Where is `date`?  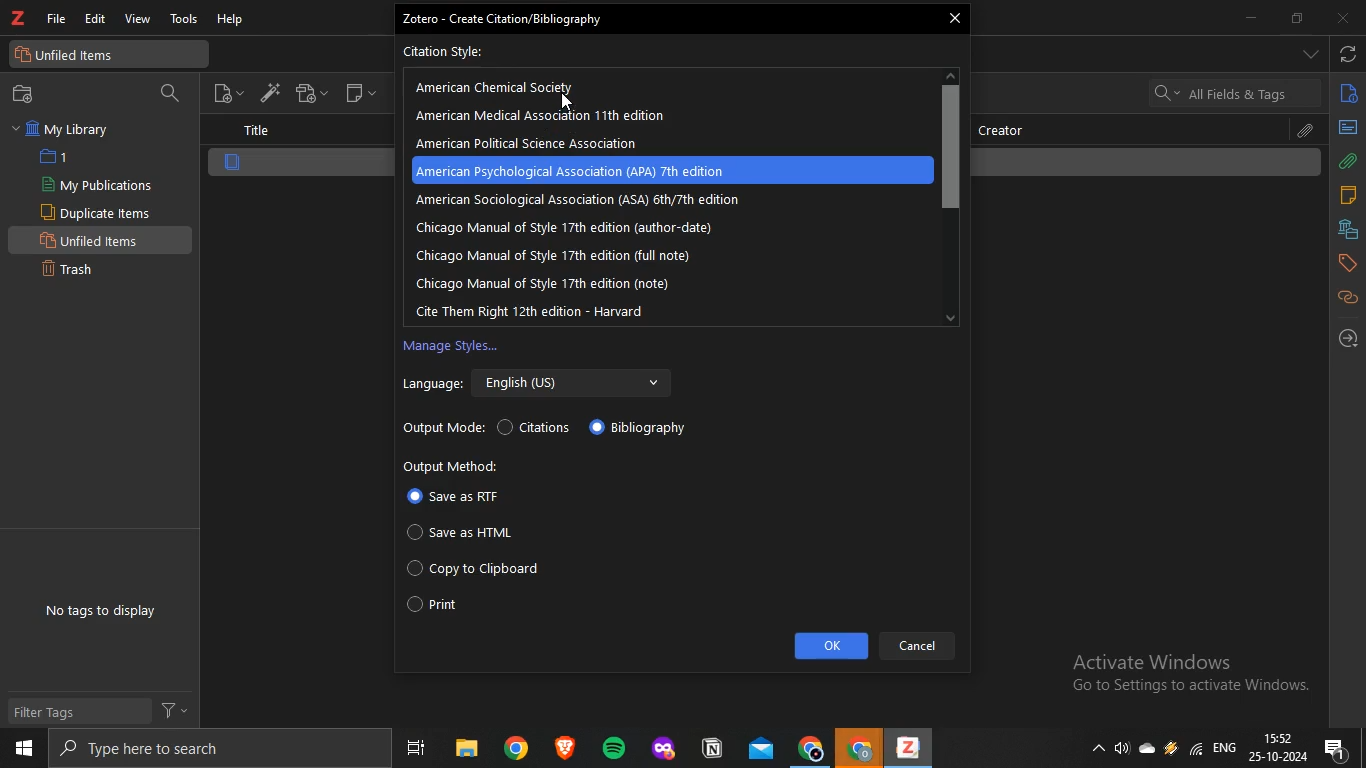
date is located at coordinates (1279, 757).